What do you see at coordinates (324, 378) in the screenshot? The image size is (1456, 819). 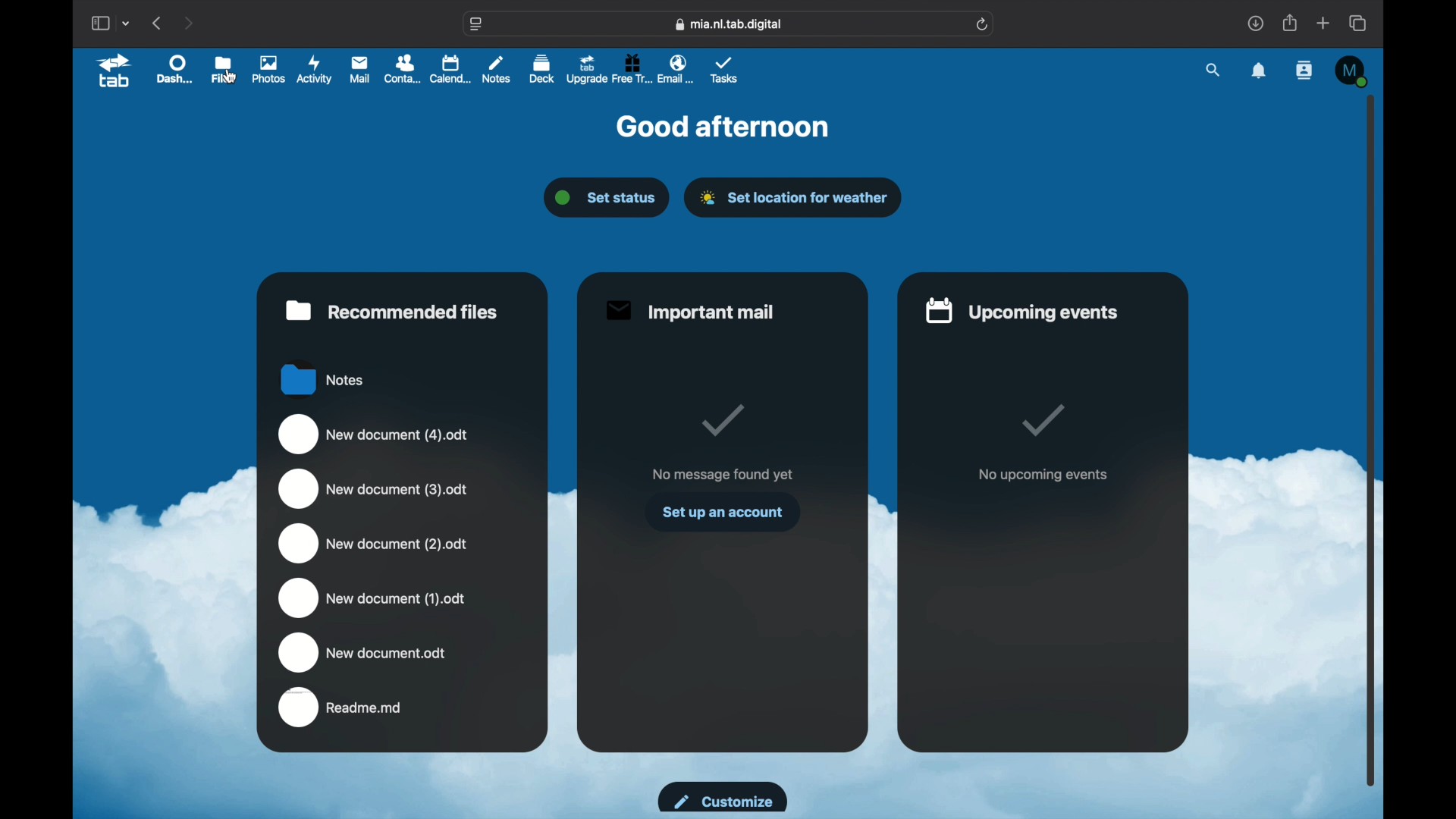 I see `notes` at bounding box center [324, 378].